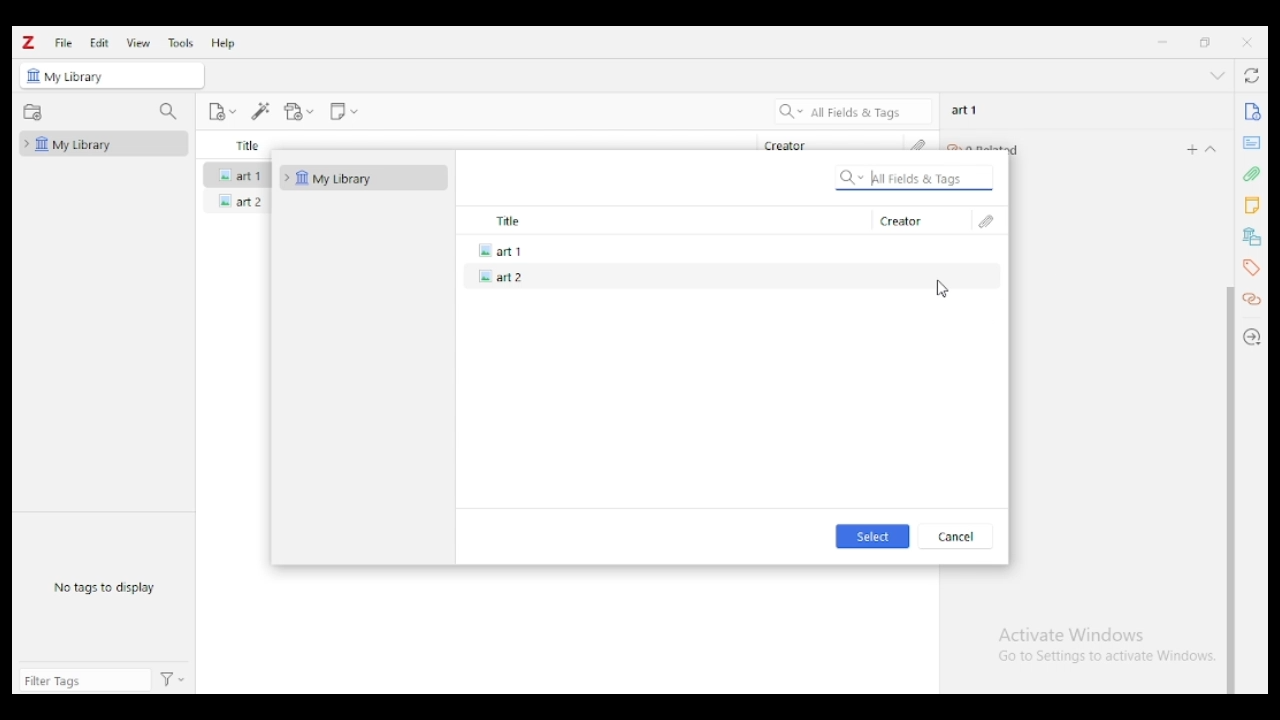 Image resolution: width=1280 pixels, height=720 pixels. Describe the element at coordinates (182, 43) in the screenshot. I see `tools` at that location.